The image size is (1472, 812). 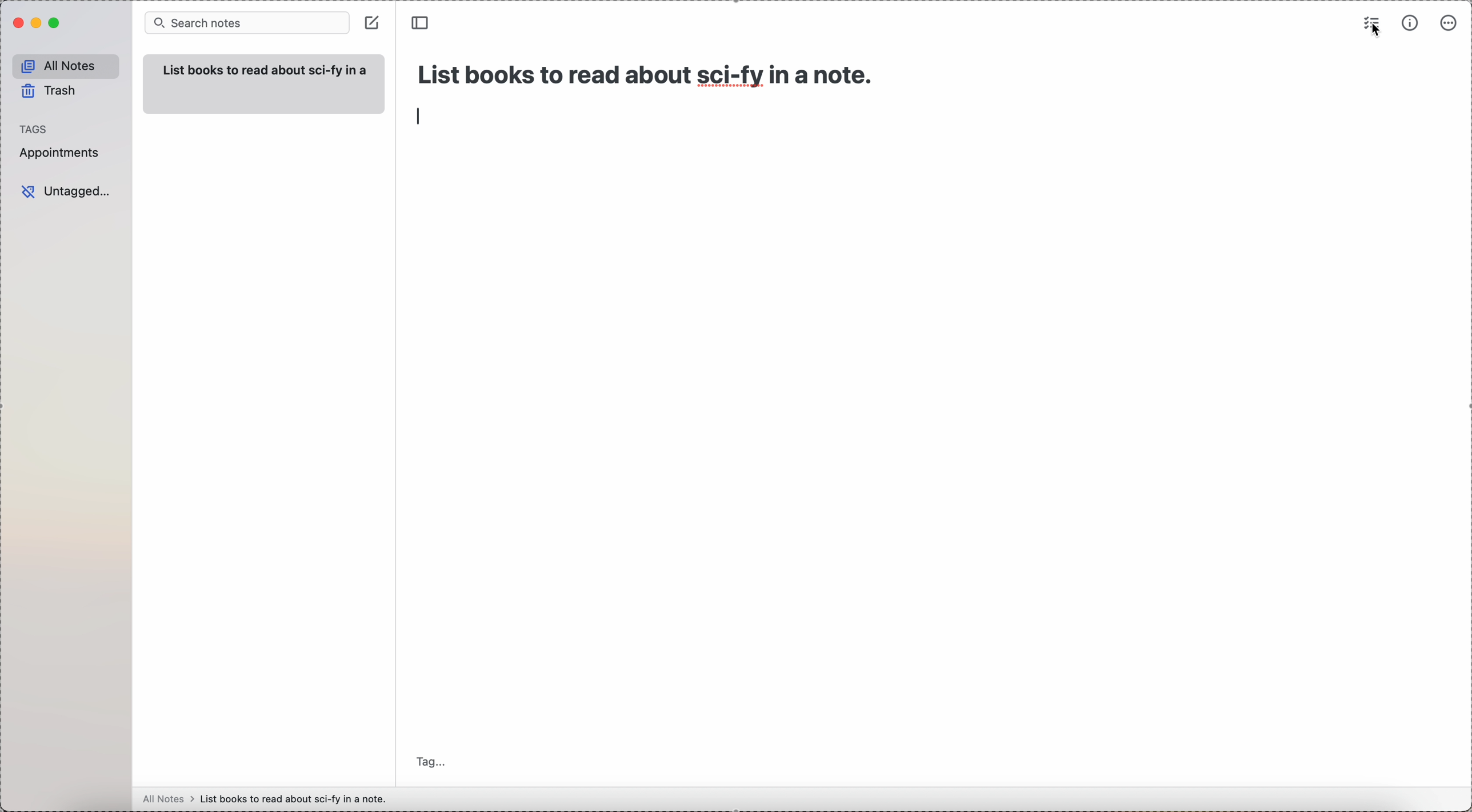 What do you see at coordinates (16, 23) in the screenshot?
I see `close Simplenote` at bounding box center [16, 23].